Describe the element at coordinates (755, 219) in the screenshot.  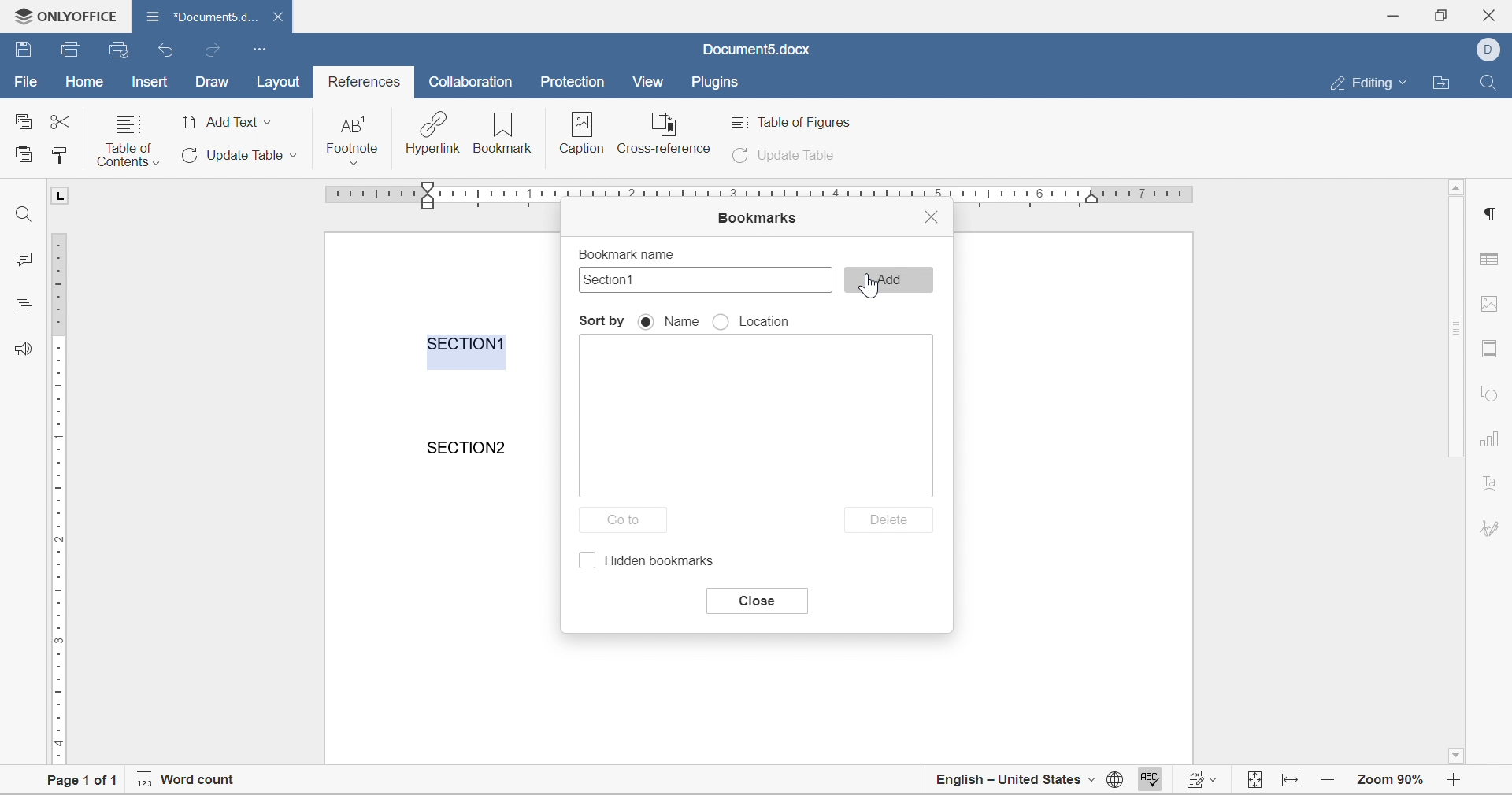
I see `bookmarks` at that location.